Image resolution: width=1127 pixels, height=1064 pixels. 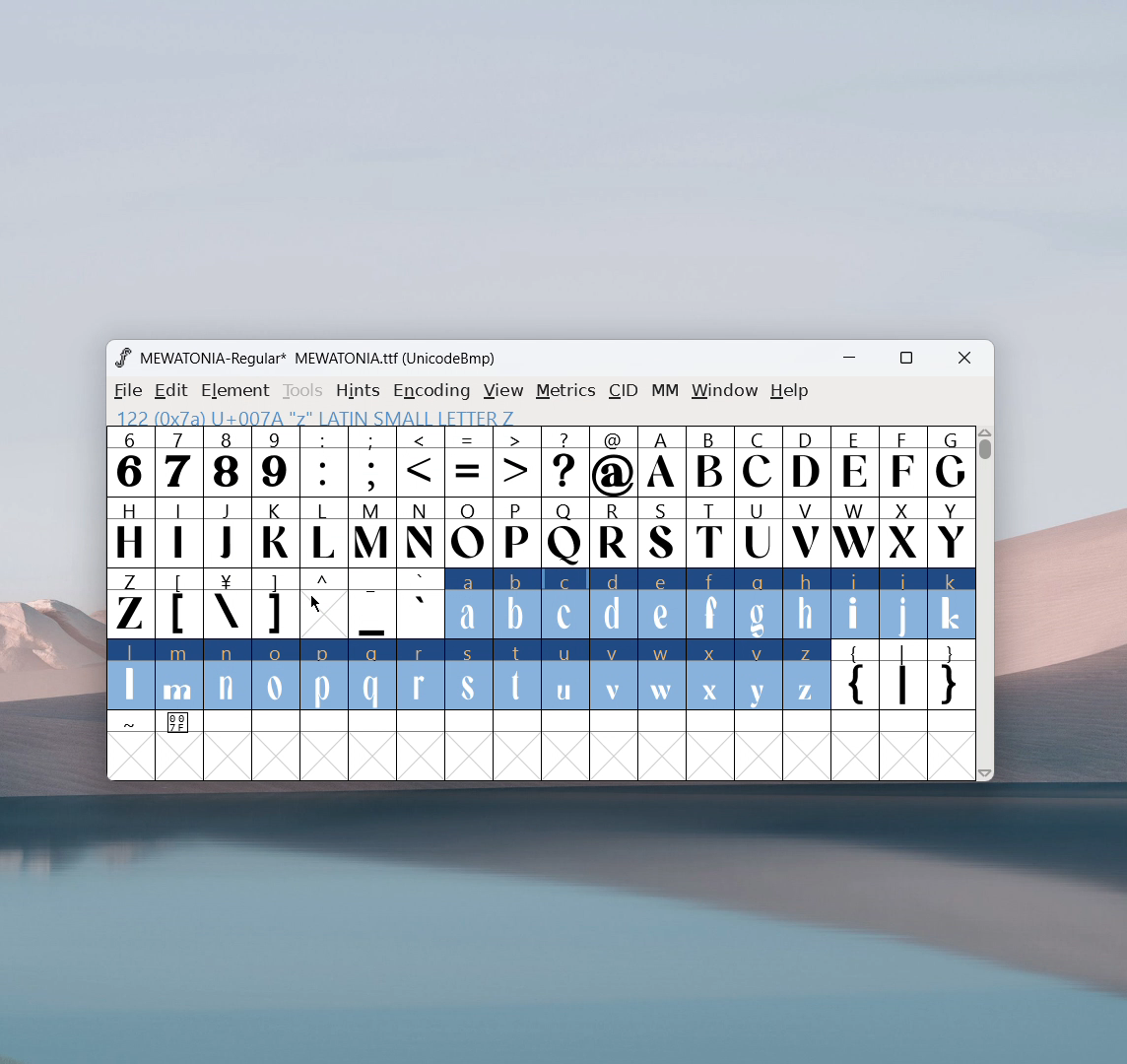 What do you see at coordinates (662, 534) in the screenshot?
I see `S` at bounding box center [662, 534].